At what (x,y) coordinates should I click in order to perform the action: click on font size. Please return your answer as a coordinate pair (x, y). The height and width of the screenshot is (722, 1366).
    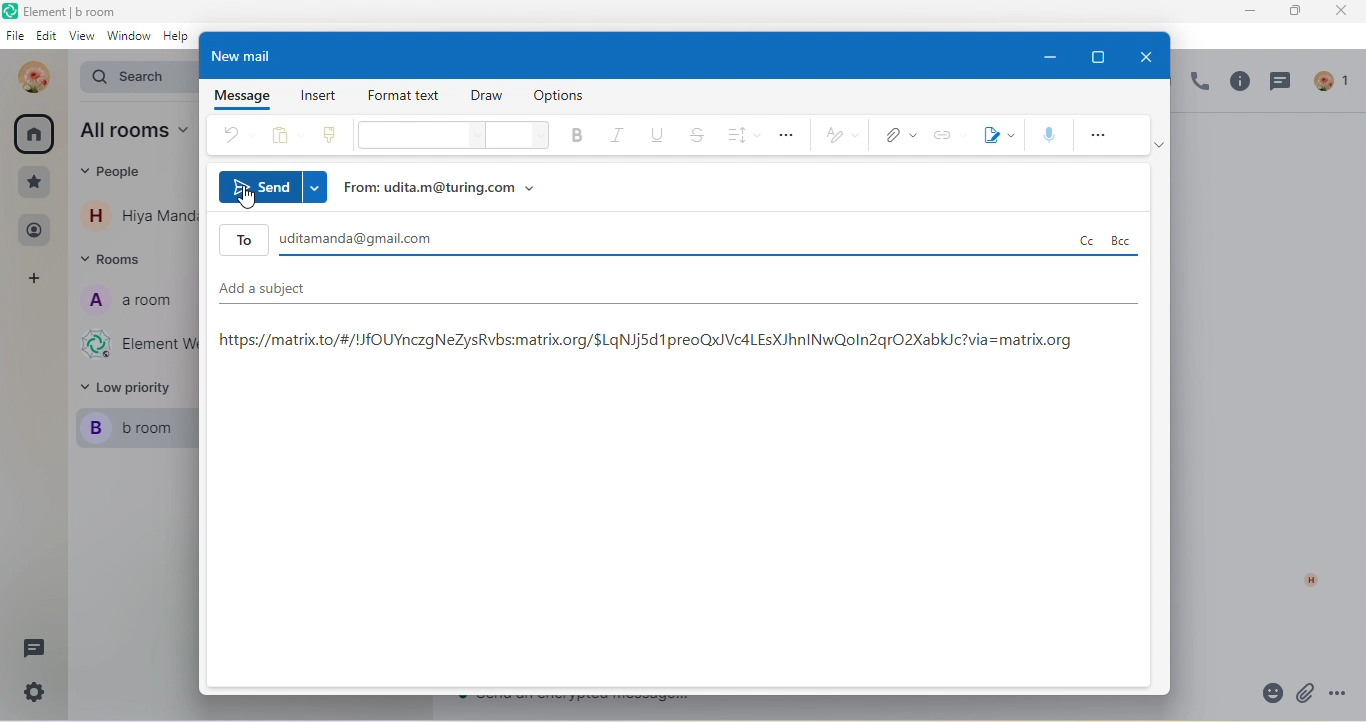
    Looking at the image, I should click on (515, 137).